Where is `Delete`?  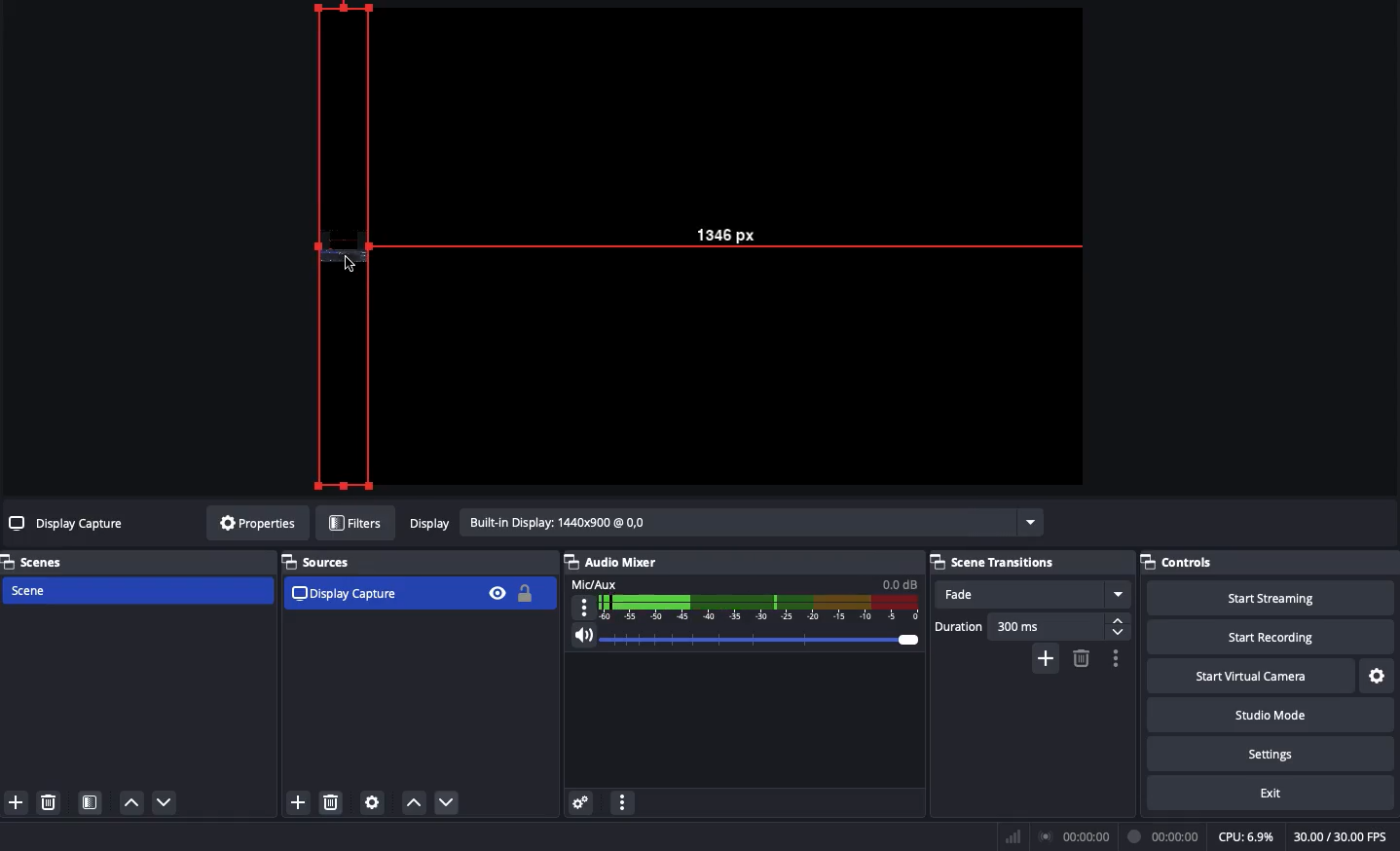 Delete is located at coordinates (47, 802).